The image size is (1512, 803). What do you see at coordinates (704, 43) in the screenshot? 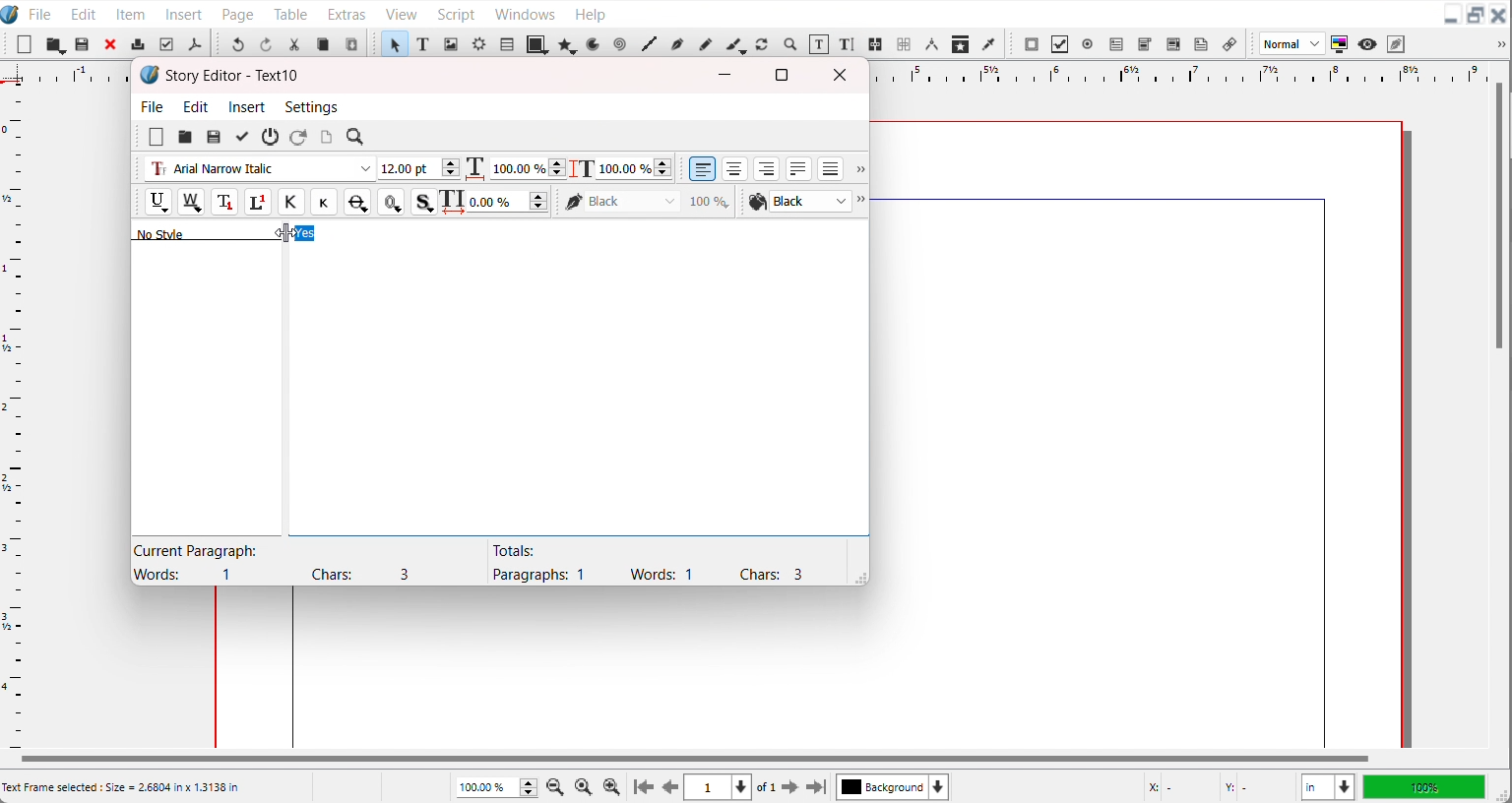
I see `Freehand line` at bounding box center [704, 43].